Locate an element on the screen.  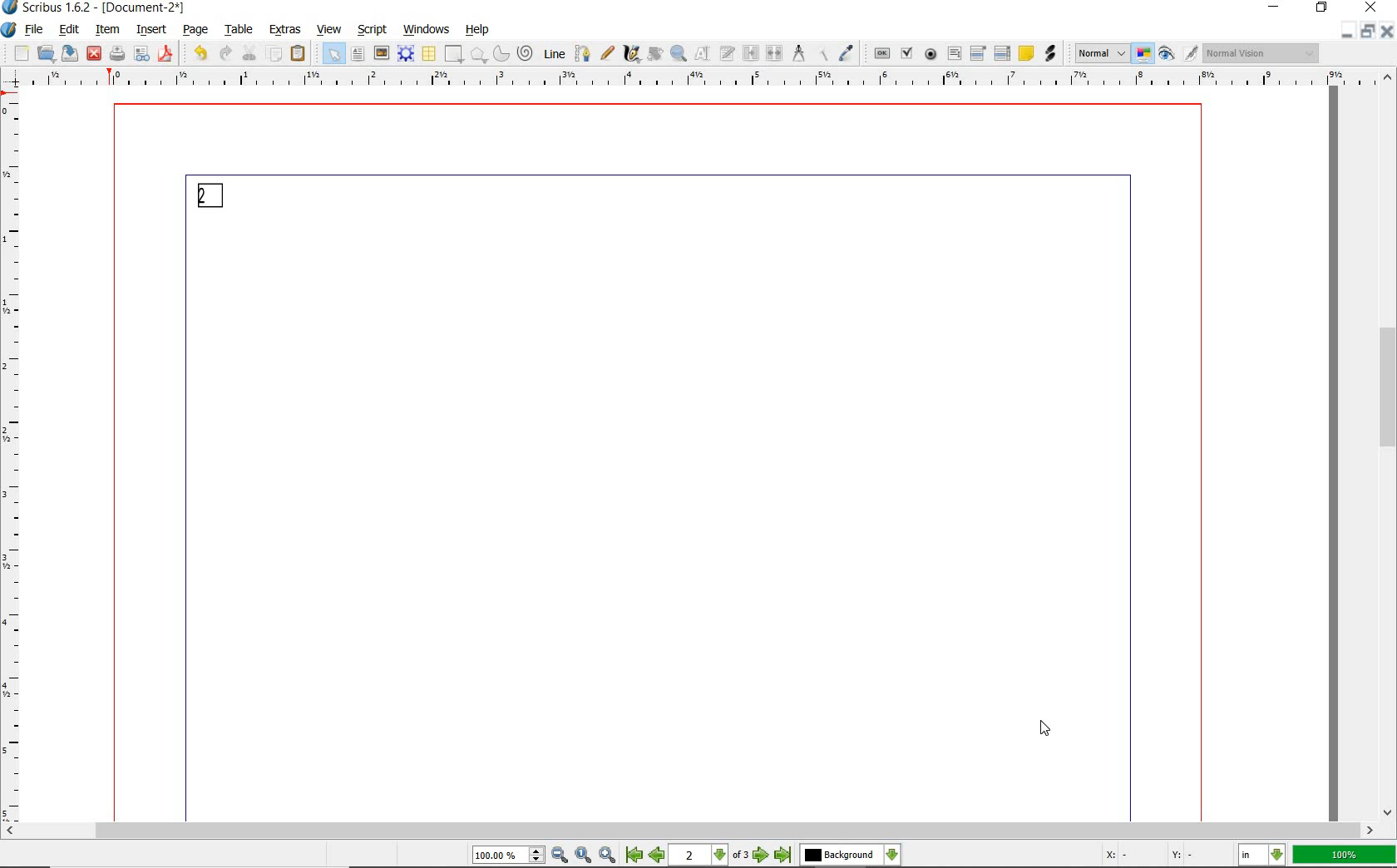
pdf text field is located at coordinates (954, 53).